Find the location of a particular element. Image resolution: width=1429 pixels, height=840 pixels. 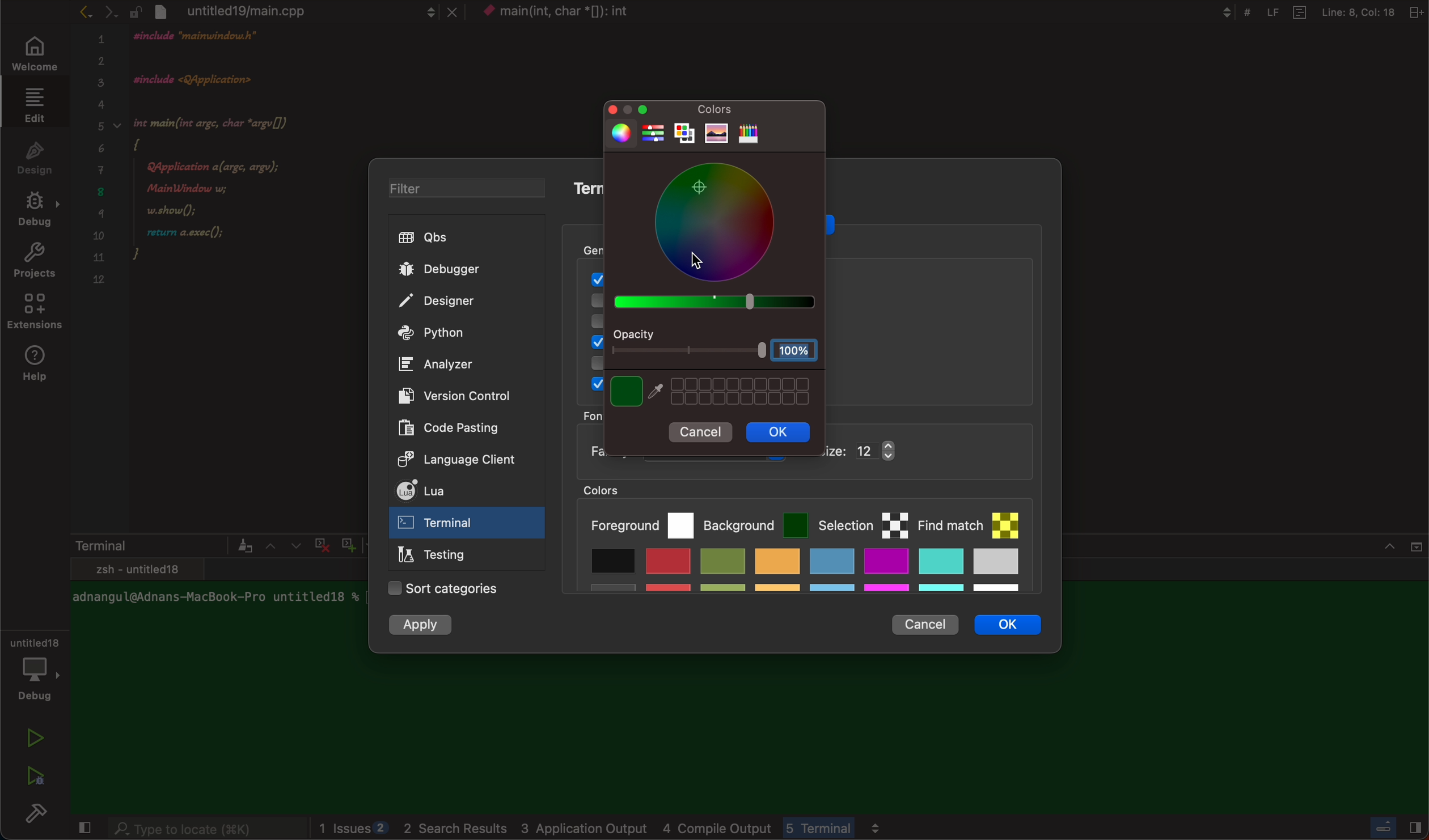

code is located at coordinates (236, 171).